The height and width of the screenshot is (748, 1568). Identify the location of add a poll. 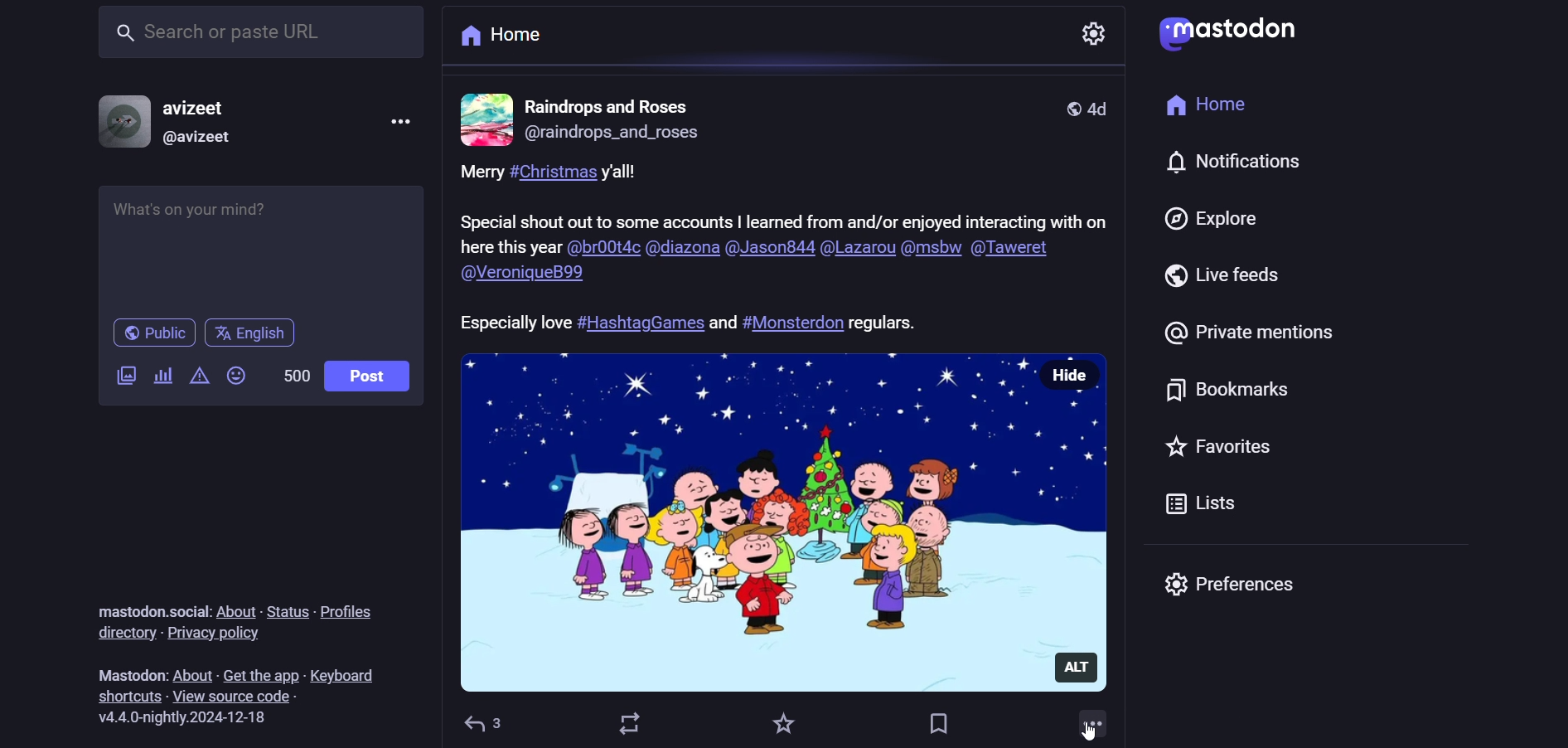
(163, 378).